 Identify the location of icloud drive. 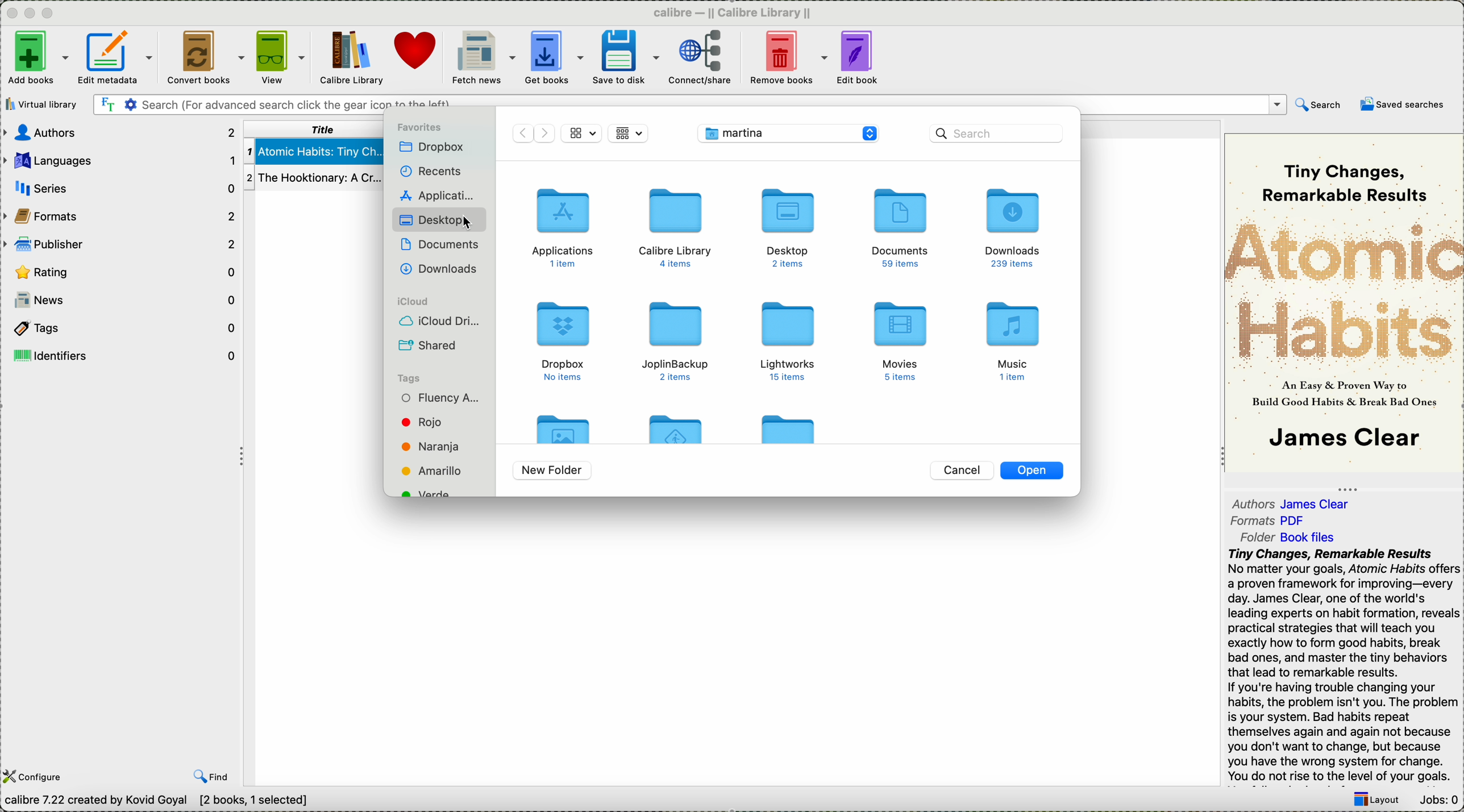
(437, 323).